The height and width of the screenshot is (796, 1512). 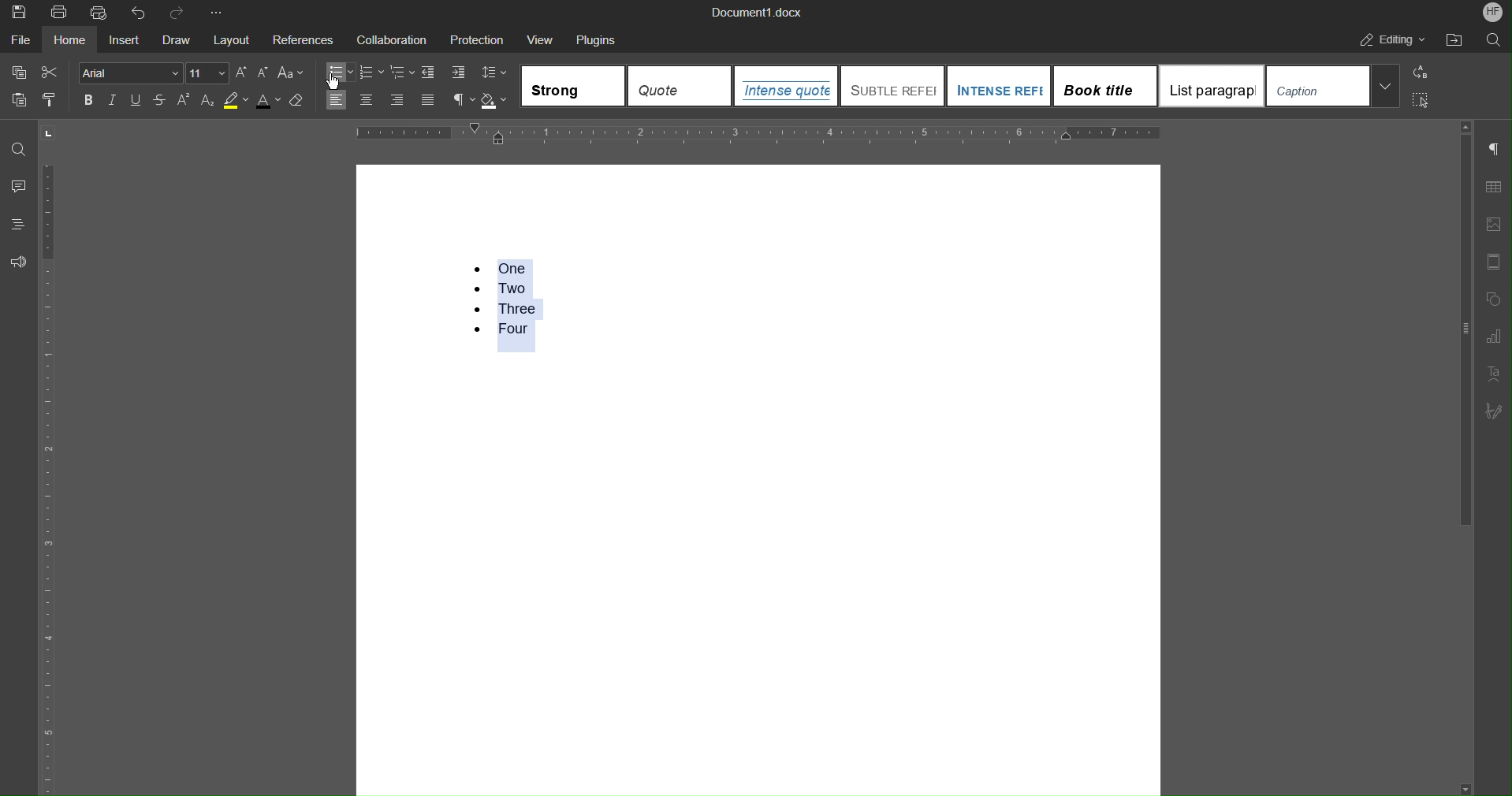 I want to click on Non-Printing Characters, so click(x=1494, y=151).